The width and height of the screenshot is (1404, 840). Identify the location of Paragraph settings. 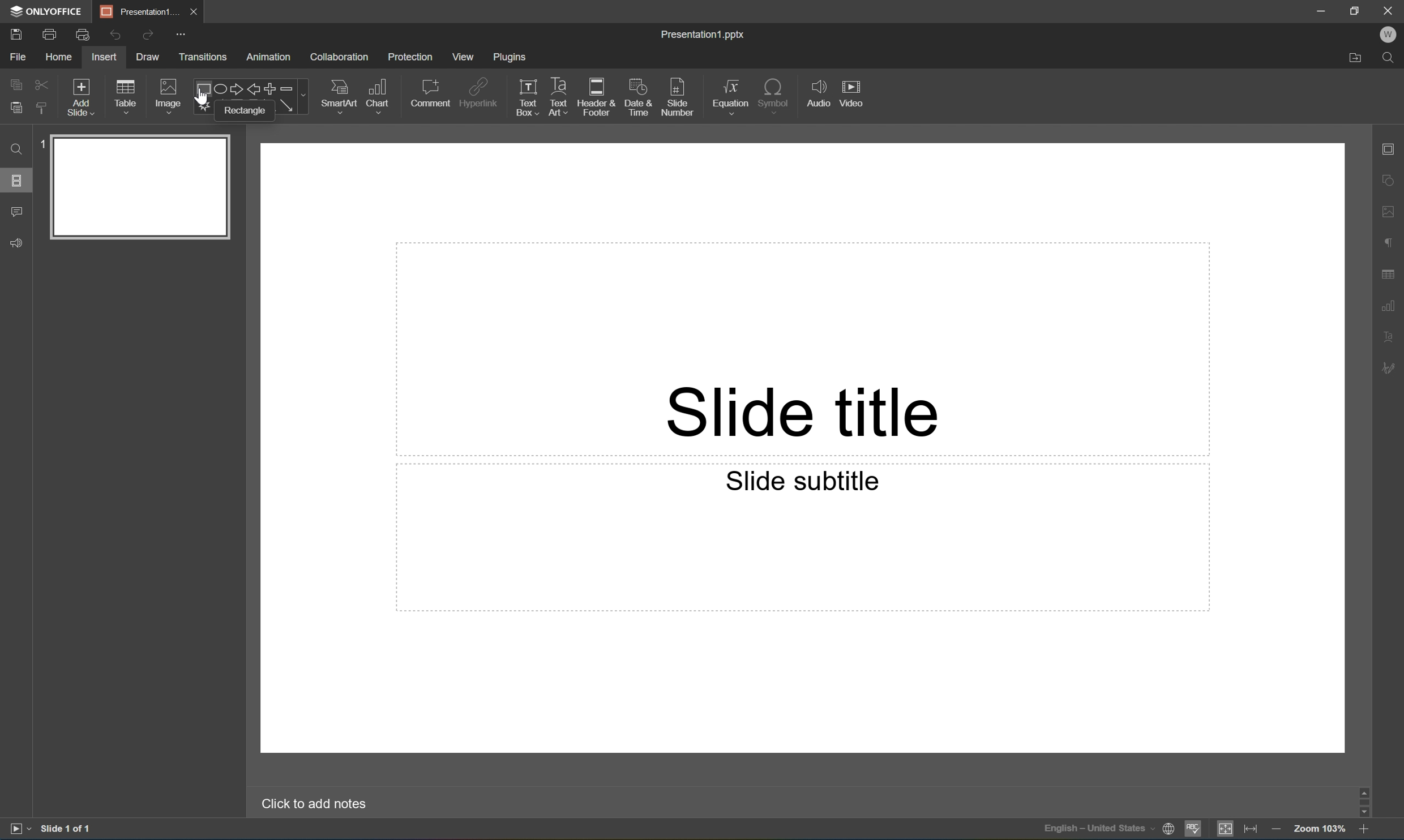
(1391, 243).